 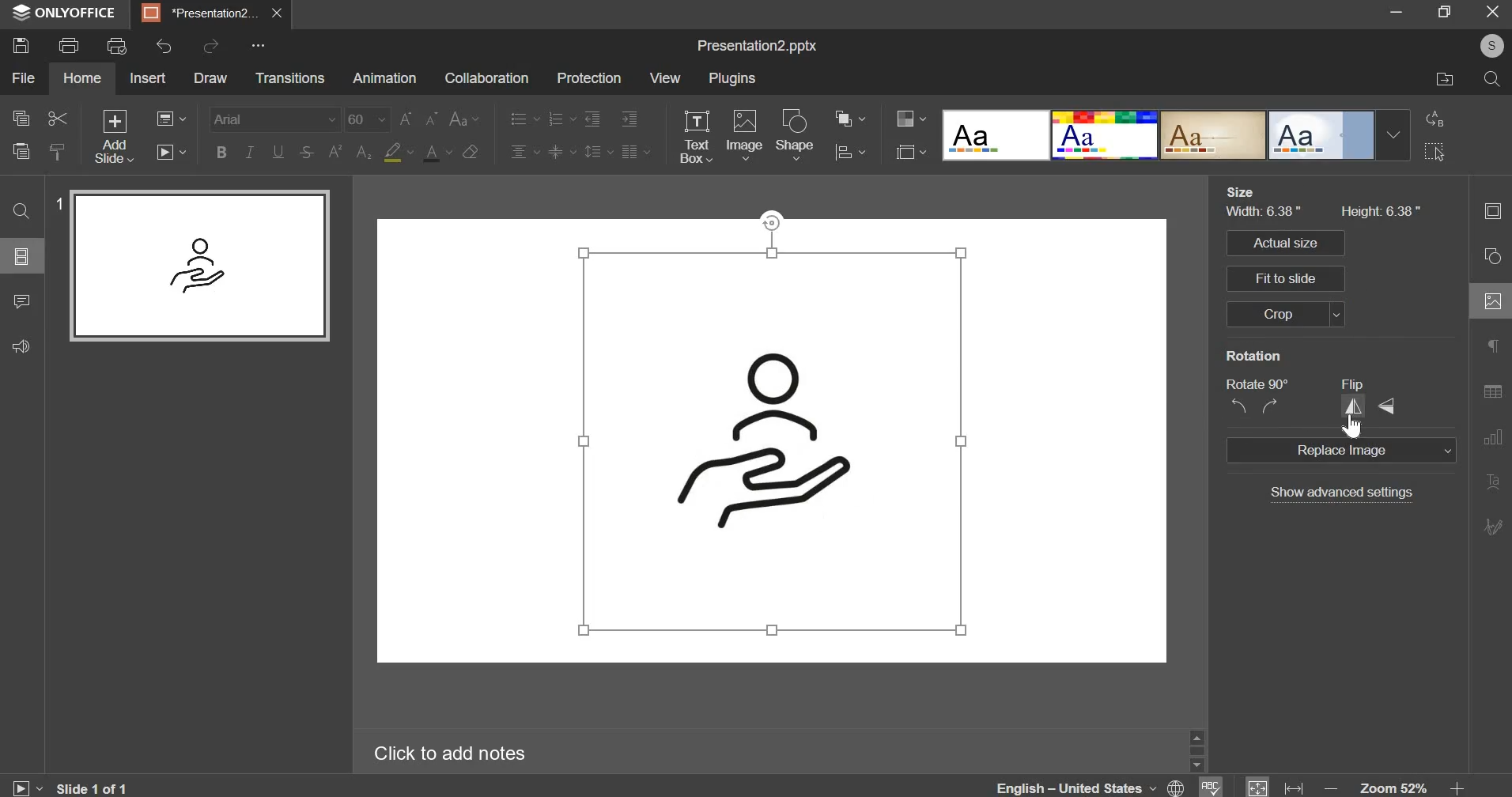 What do you see at coordinates (289, 77) in the screenshot?
I see `transitions` at bounding box center [289, 77].